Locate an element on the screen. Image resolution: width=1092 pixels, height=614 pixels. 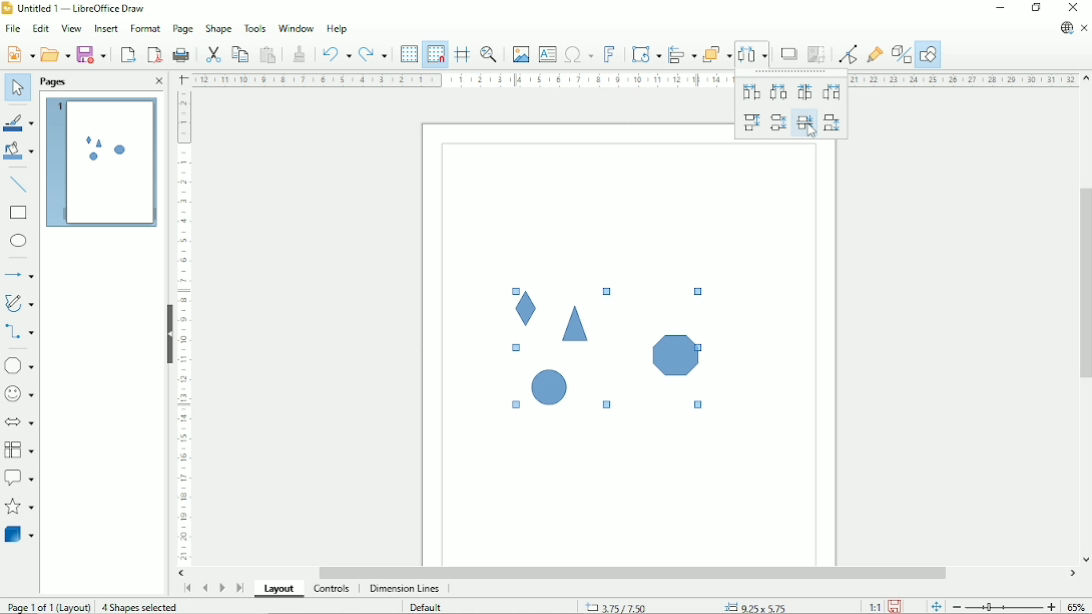
Distribute is located at coordinates (752, 53).